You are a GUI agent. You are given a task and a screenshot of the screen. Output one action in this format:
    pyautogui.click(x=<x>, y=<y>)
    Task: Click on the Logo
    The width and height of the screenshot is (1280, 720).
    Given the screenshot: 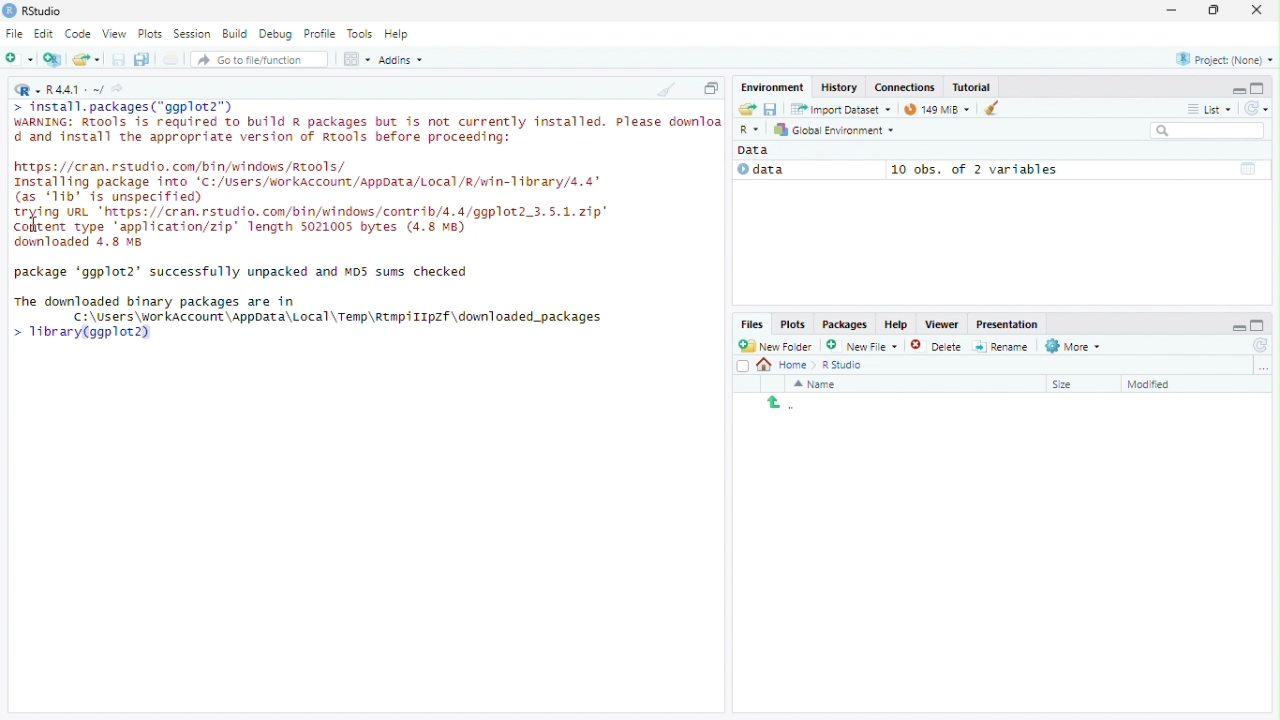 What is the action you would take?
    pyautogui.click(x=9, y=11)
    